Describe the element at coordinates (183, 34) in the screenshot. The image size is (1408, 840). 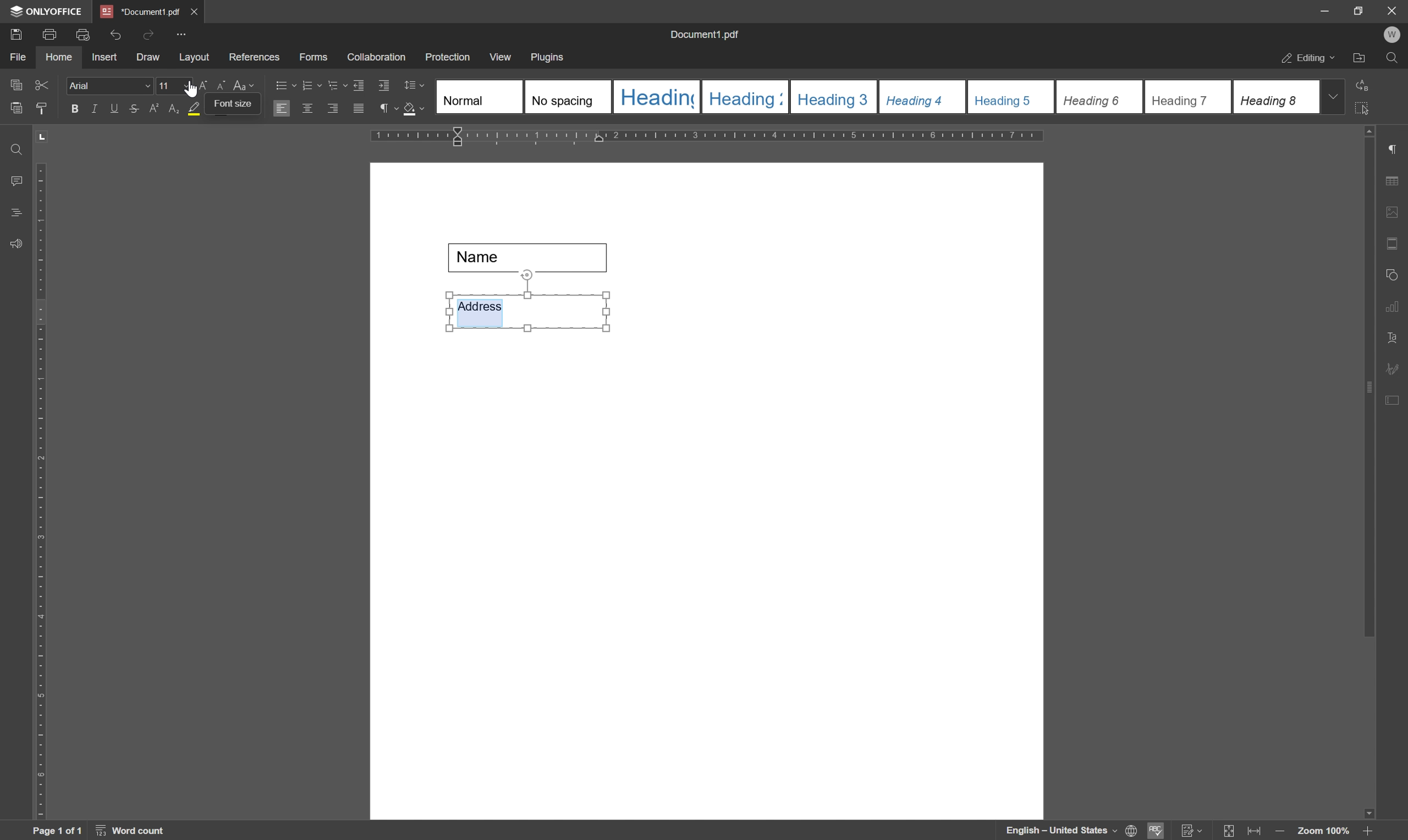
I see `customize quick access toolbar` at that location.